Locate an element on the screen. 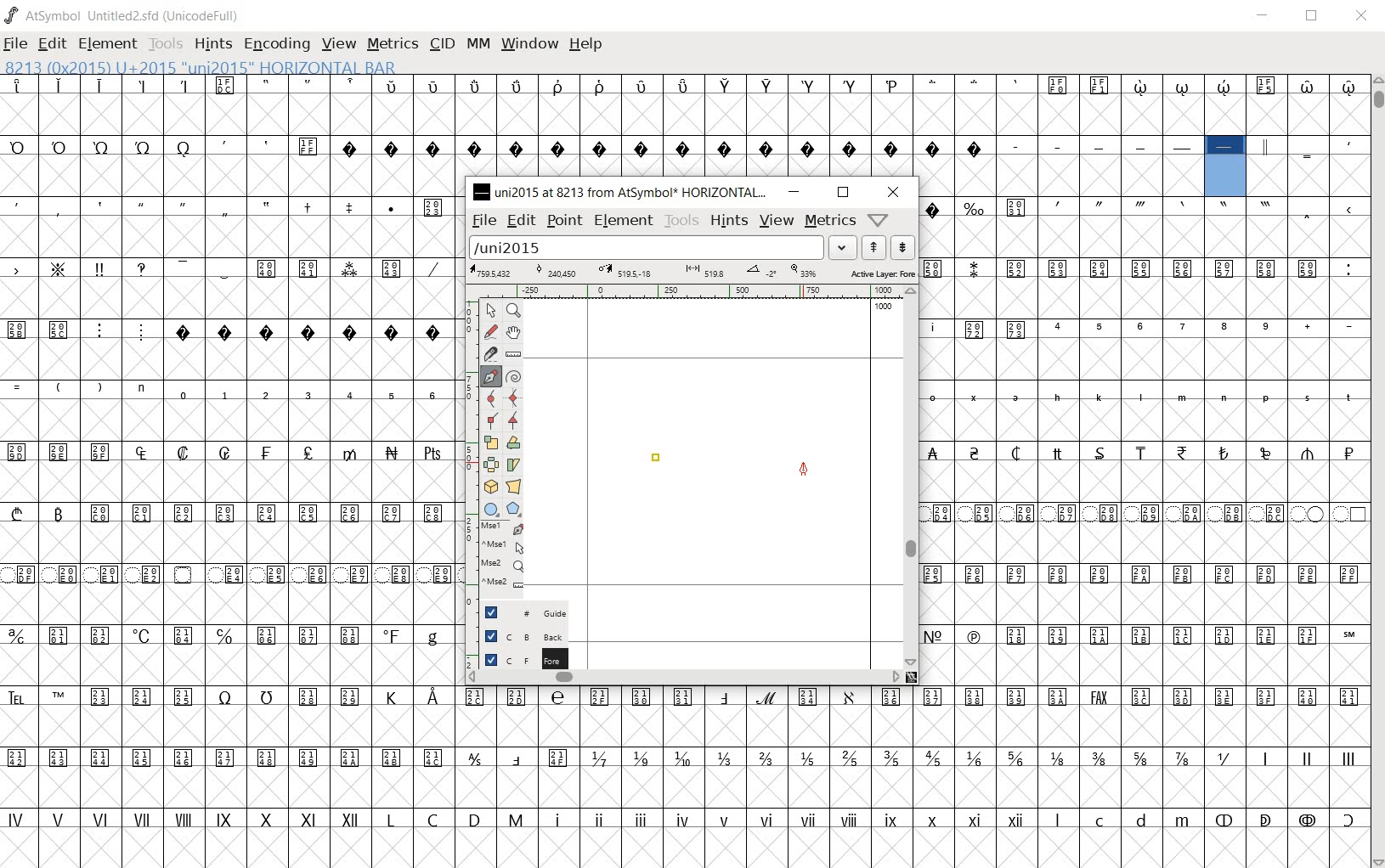 The image size is (1385, 868). CID is located at coordinates (442, 43).